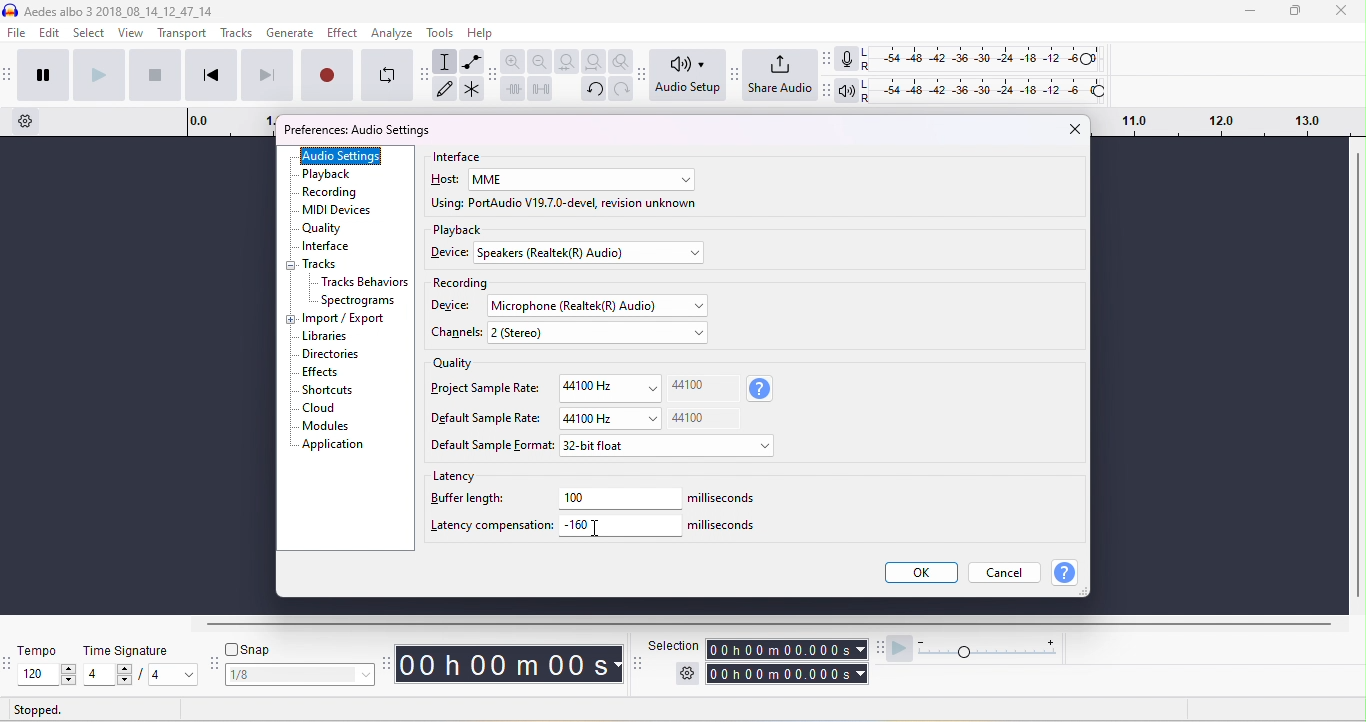 This screenshot has height=722, width=1366. Describe the element at coordinates (690, 75) in the screenshot. I see `audio set up` at that location.